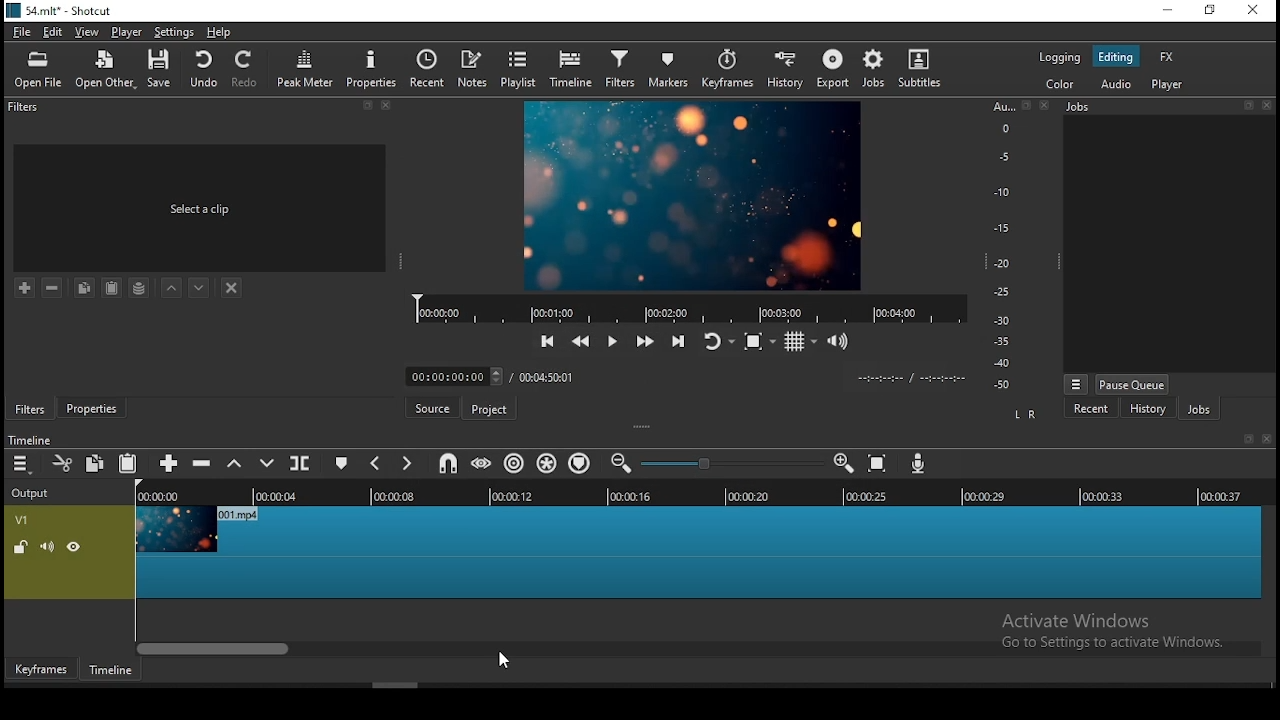 Image resolution: width=1280 pixels, height=720 pixels. Describe the element at coordinates (432, 409) in the screenshot. I see `source` at that location.